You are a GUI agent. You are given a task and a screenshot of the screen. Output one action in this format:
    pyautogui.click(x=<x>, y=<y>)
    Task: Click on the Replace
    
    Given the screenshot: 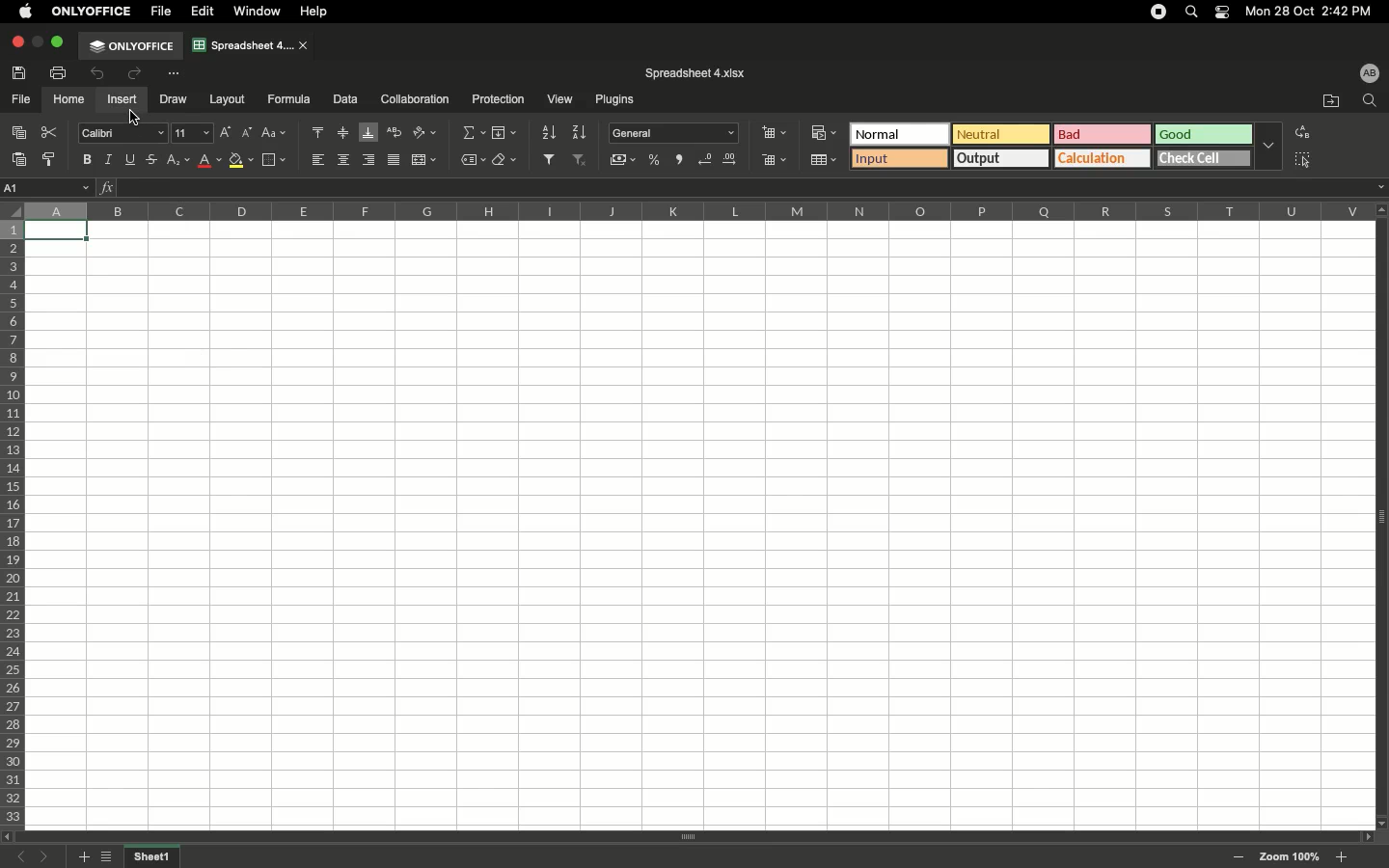 What is the action you would take?
    pyautogui.click(x=1300, y=132)
    